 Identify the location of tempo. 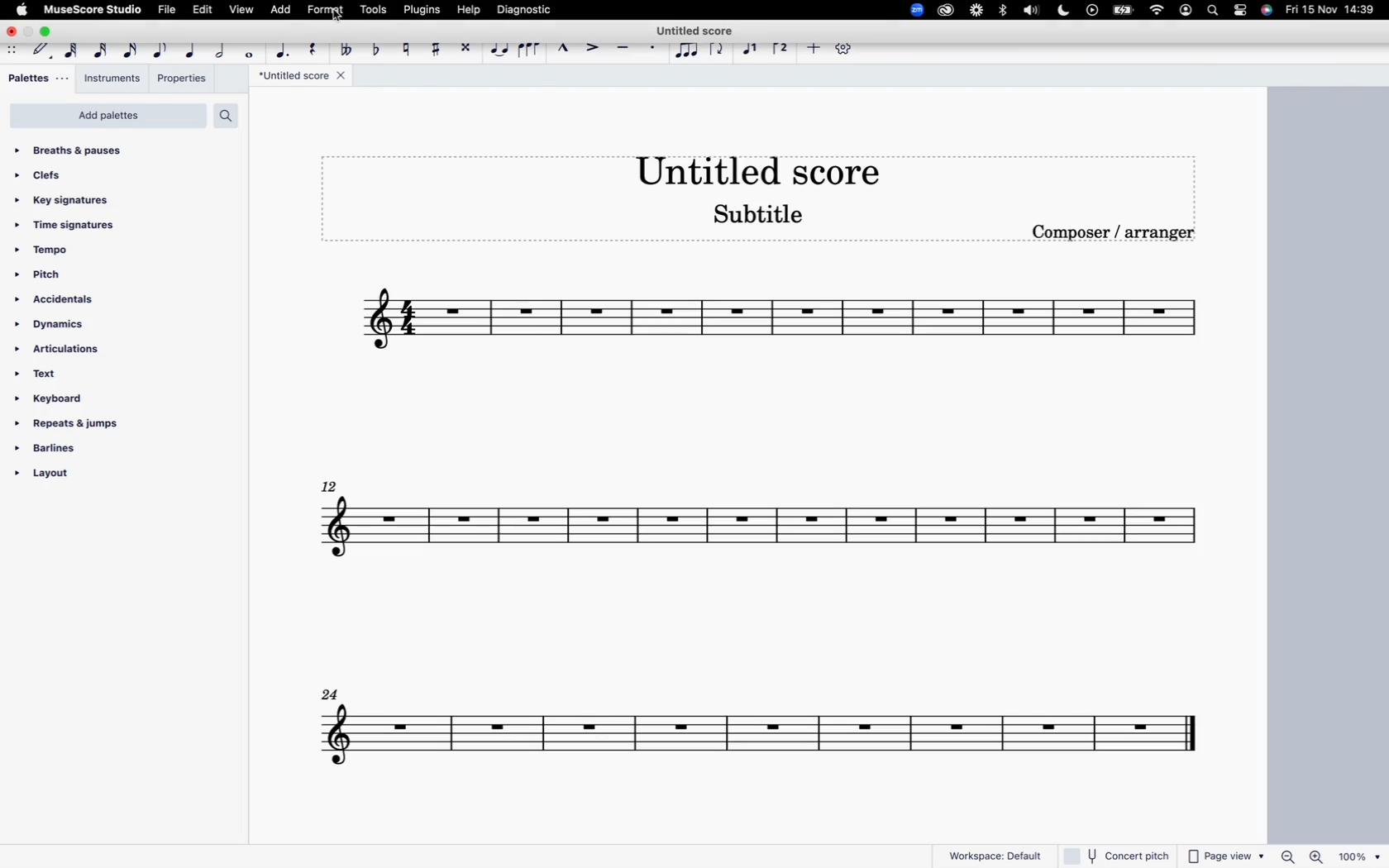
(46, 254).